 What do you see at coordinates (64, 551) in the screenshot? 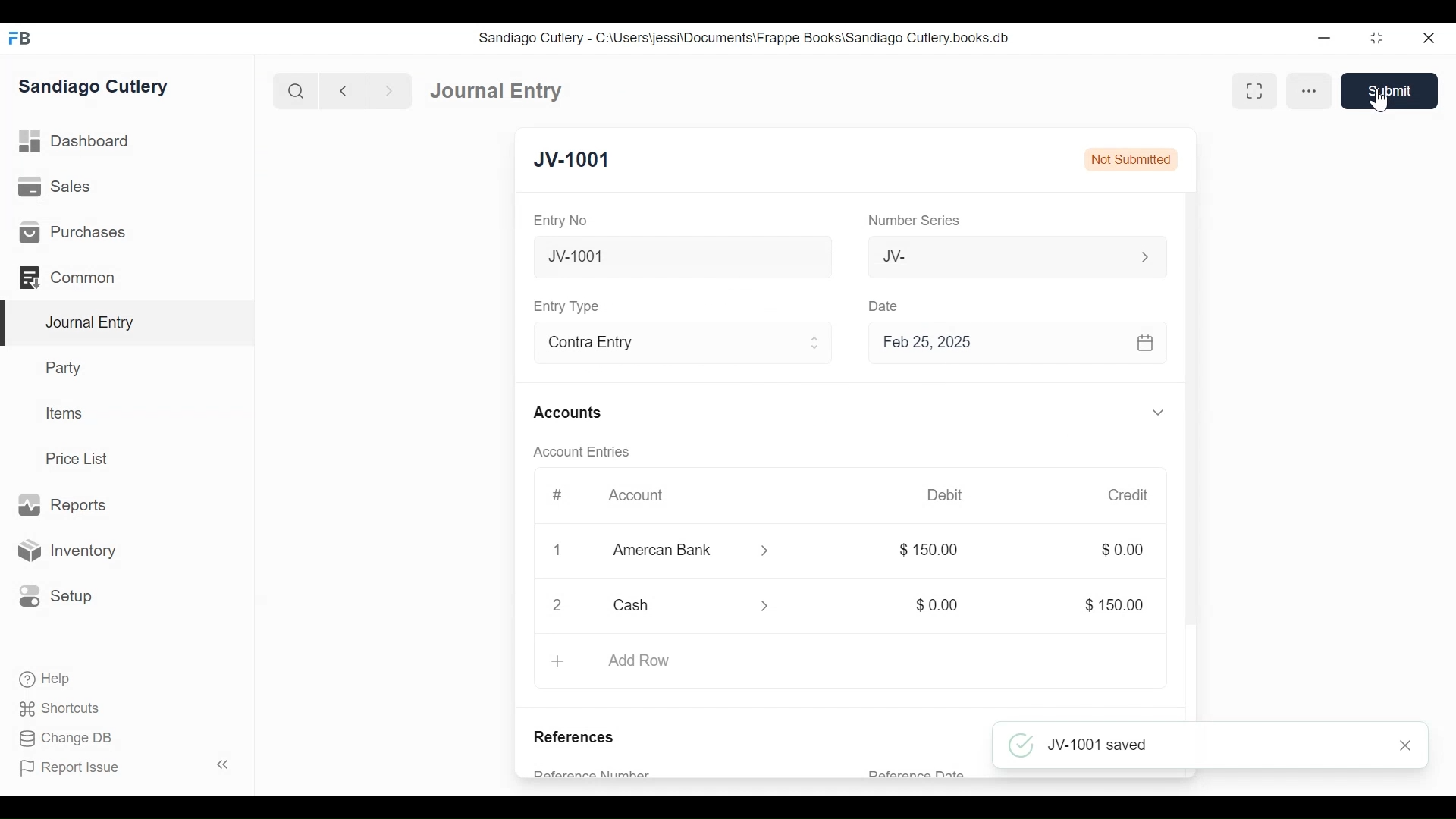
I see `Inventory` at bounding box center [64, 551].